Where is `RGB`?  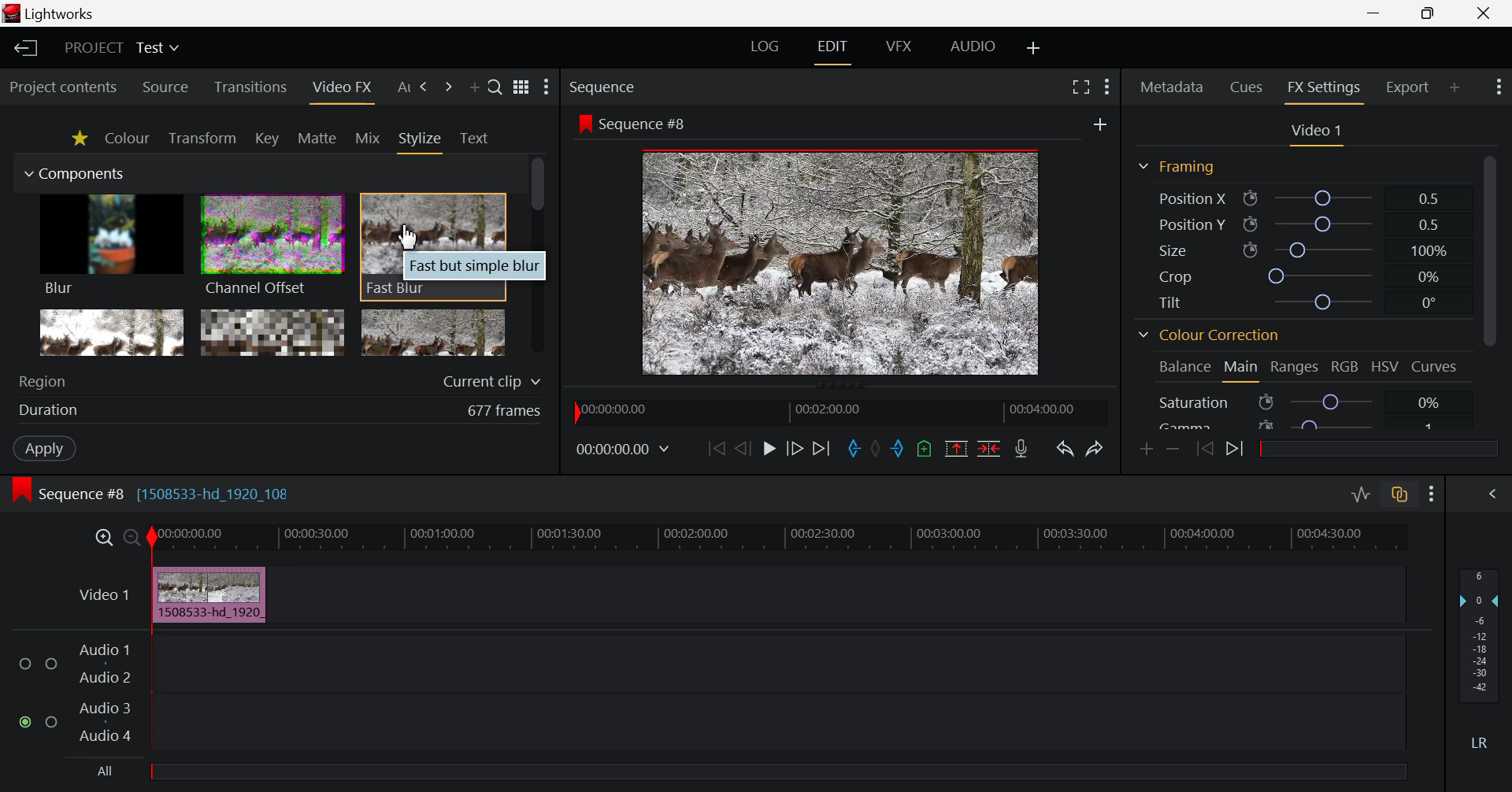 RGB is located at coordinates (1345, 367).